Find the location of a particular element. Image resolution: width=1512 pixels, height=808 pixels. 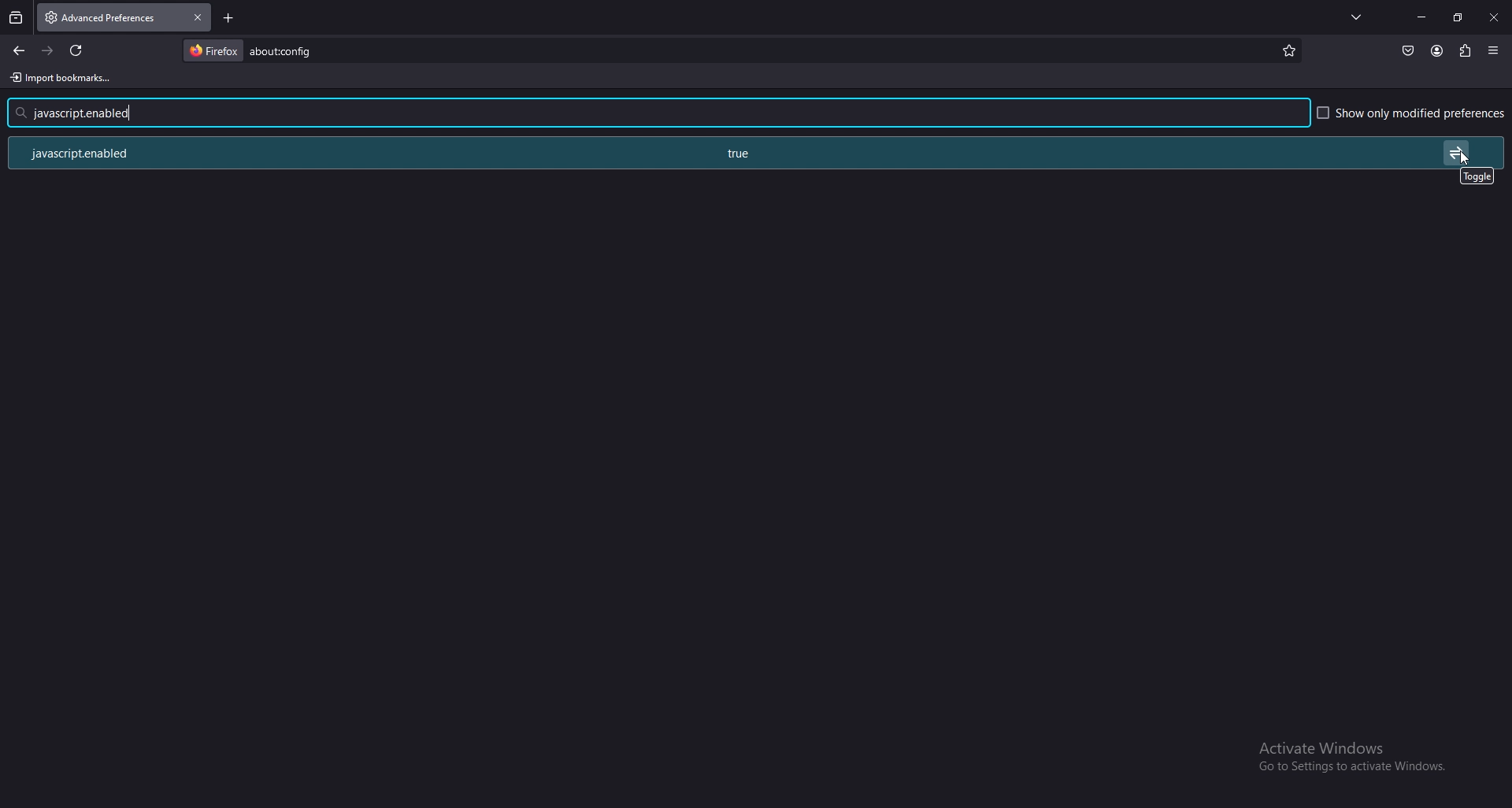

minimize is located at coordinates (1422, 17).